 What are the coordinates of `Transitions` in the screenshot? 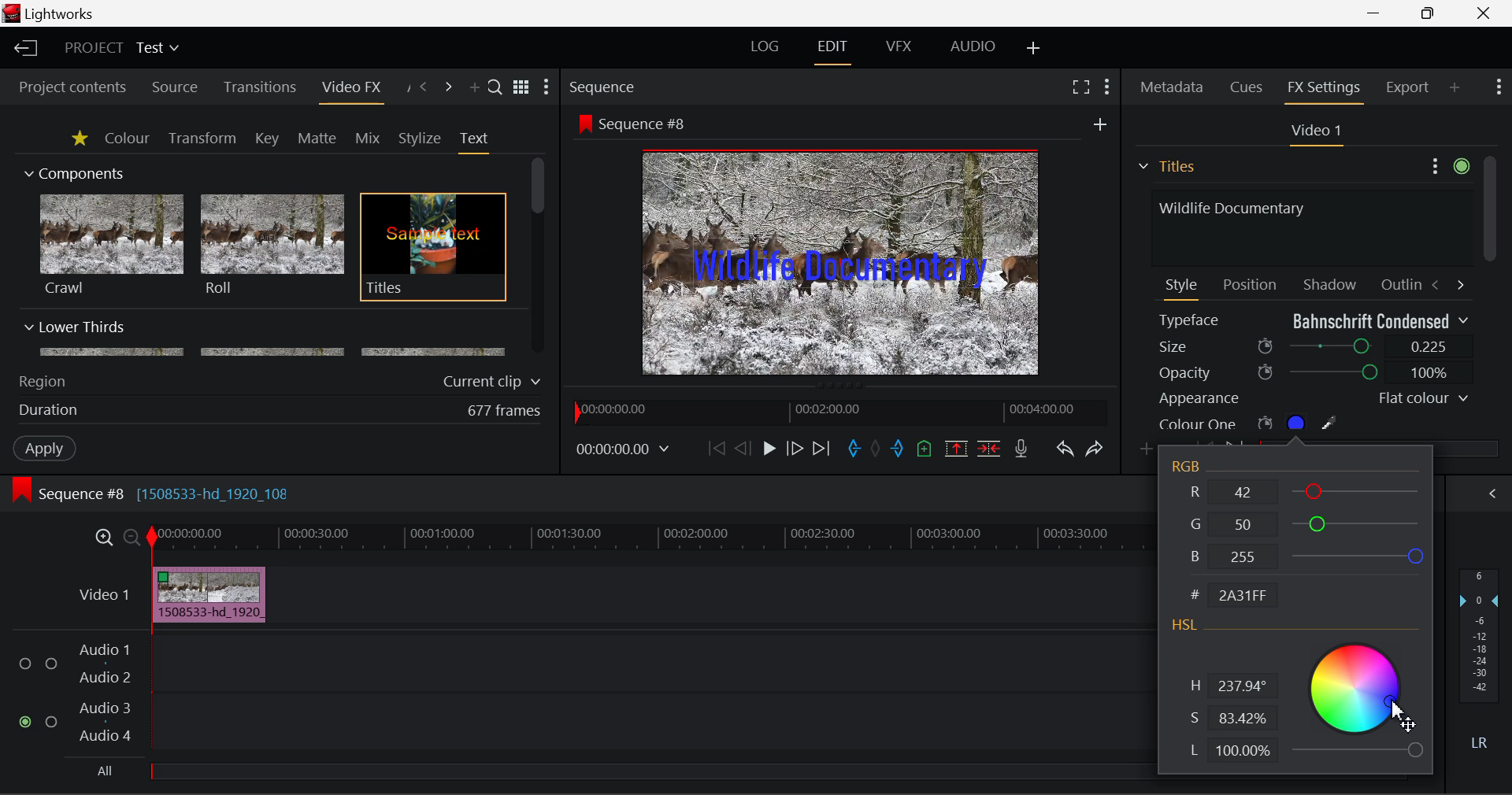 It's located at (260, 87).